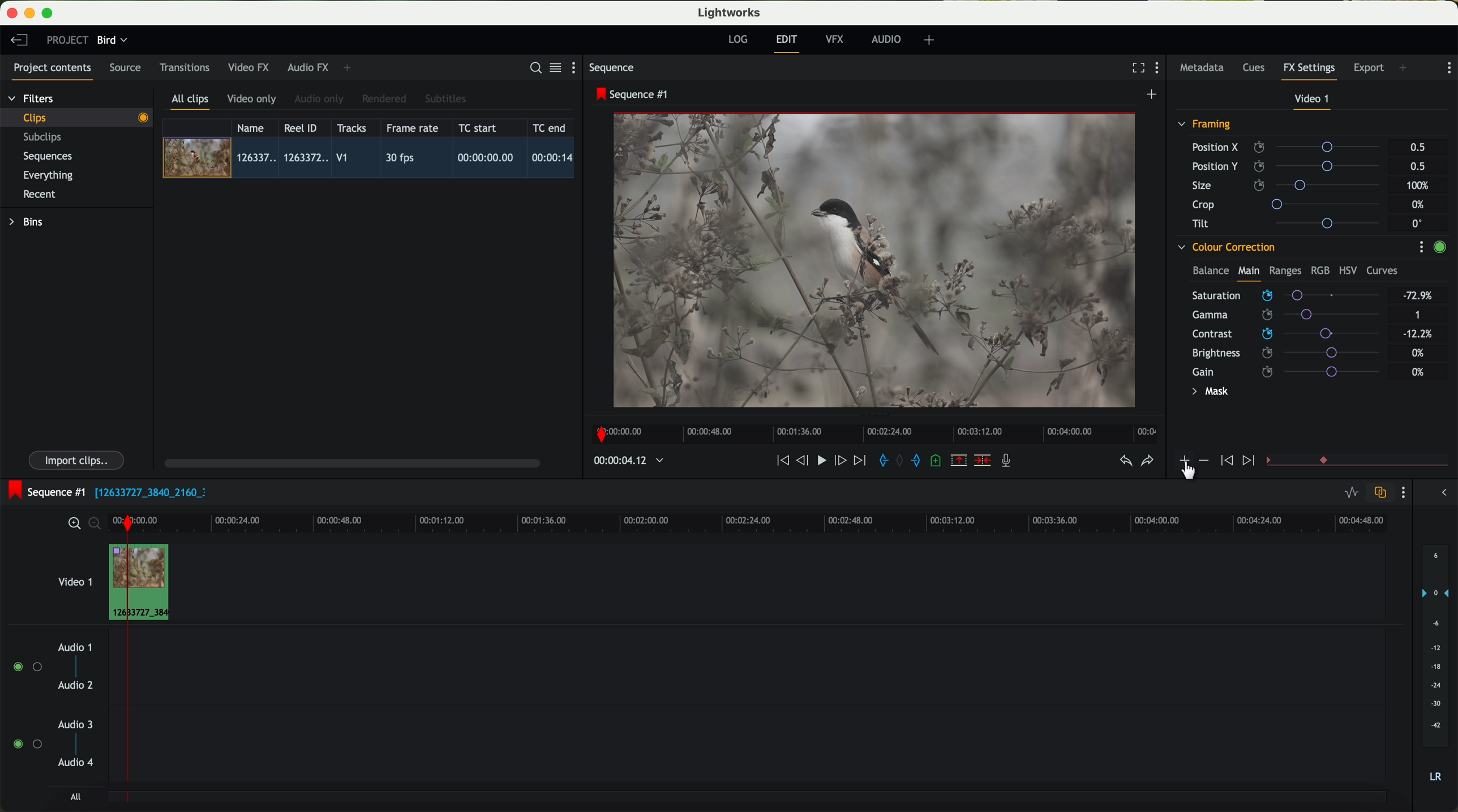 This screenshot has height=812, width=1458. I want to click on 0%, so click(1418, 372).